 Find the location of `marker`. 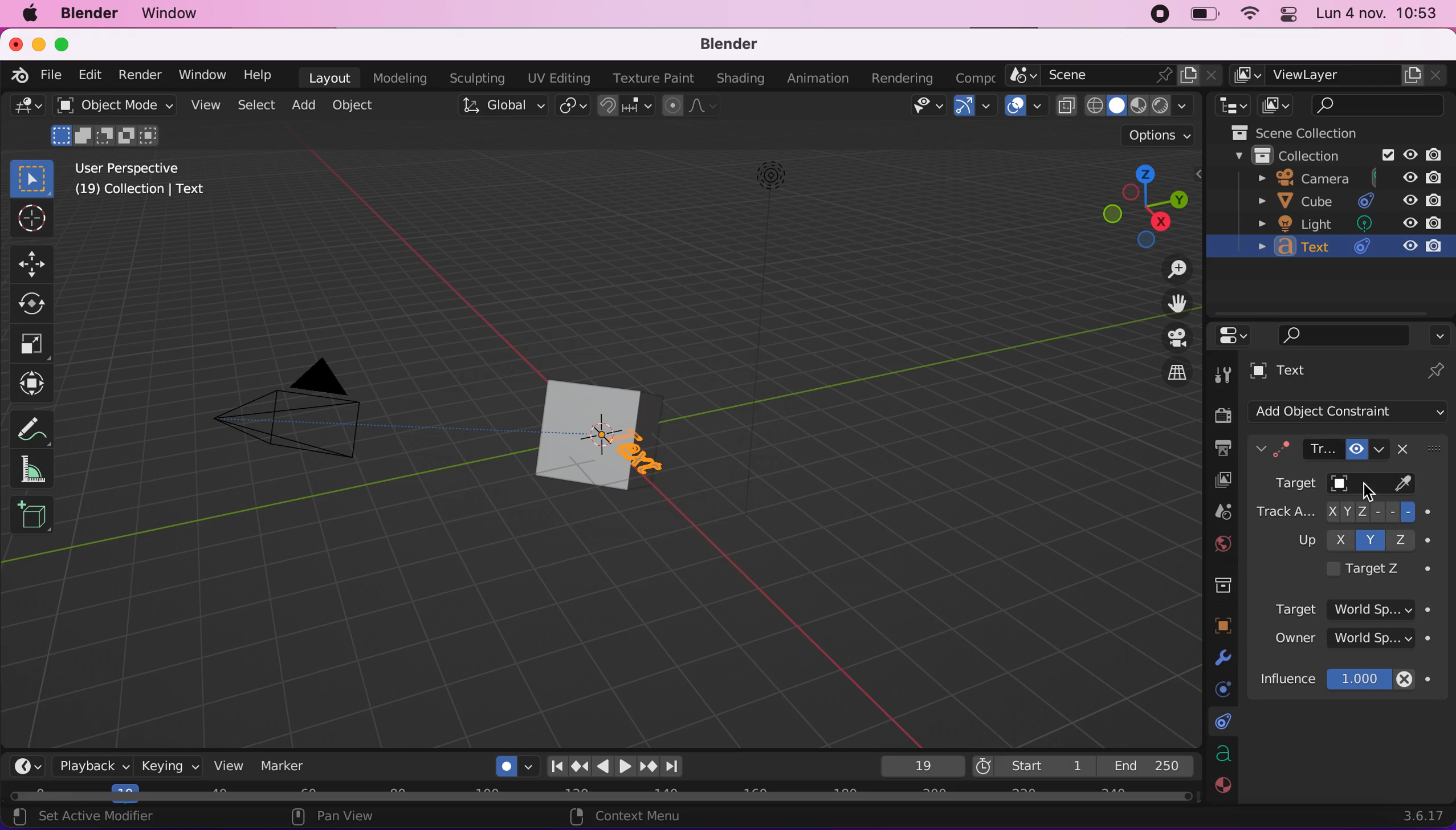

marker is located at coordinates (286, 766).